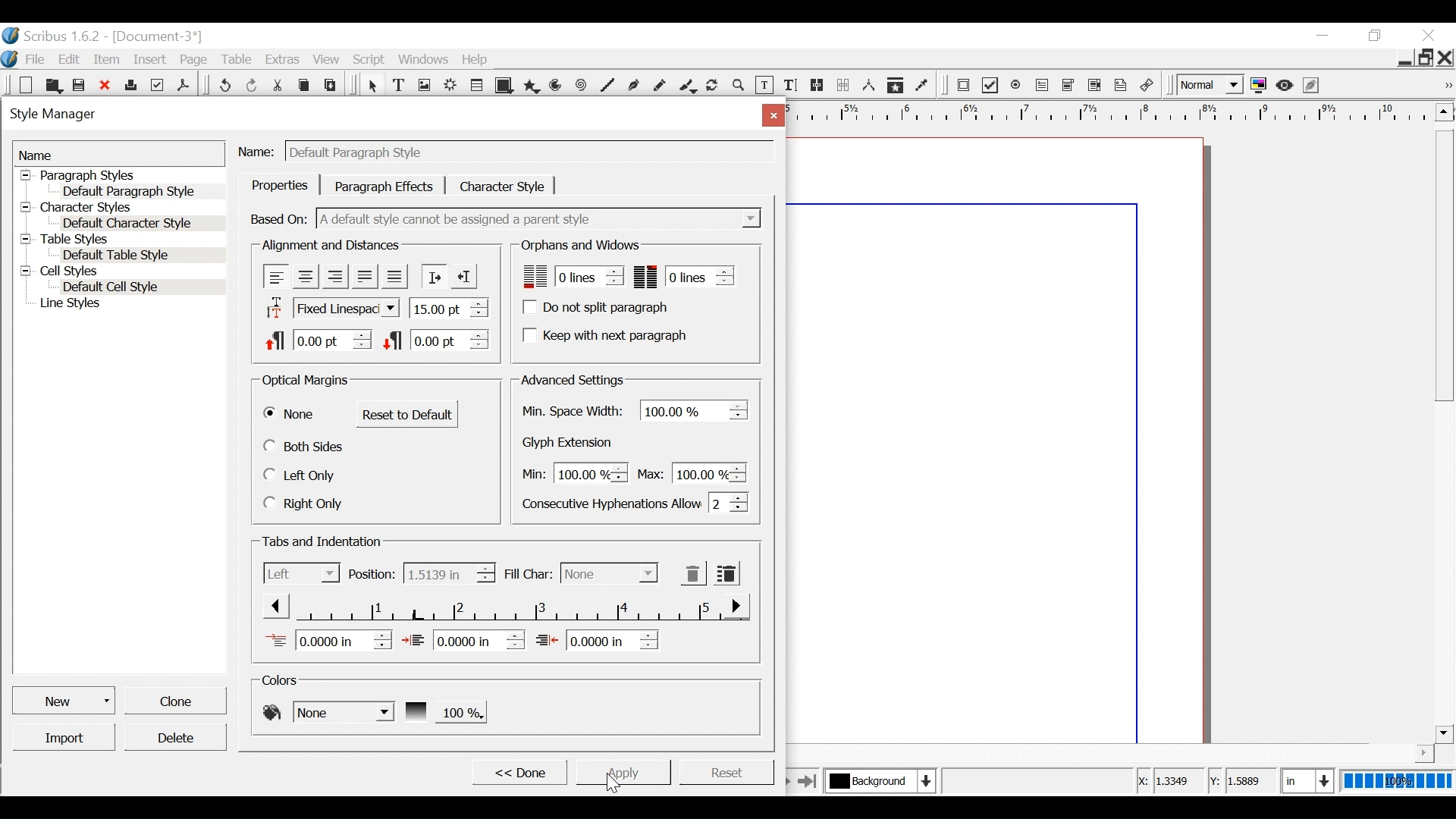 This screenshot has height=819, width=1456. Describe the element at coordinates (10, 58) in the screenshot. I see `Logo` at that location.